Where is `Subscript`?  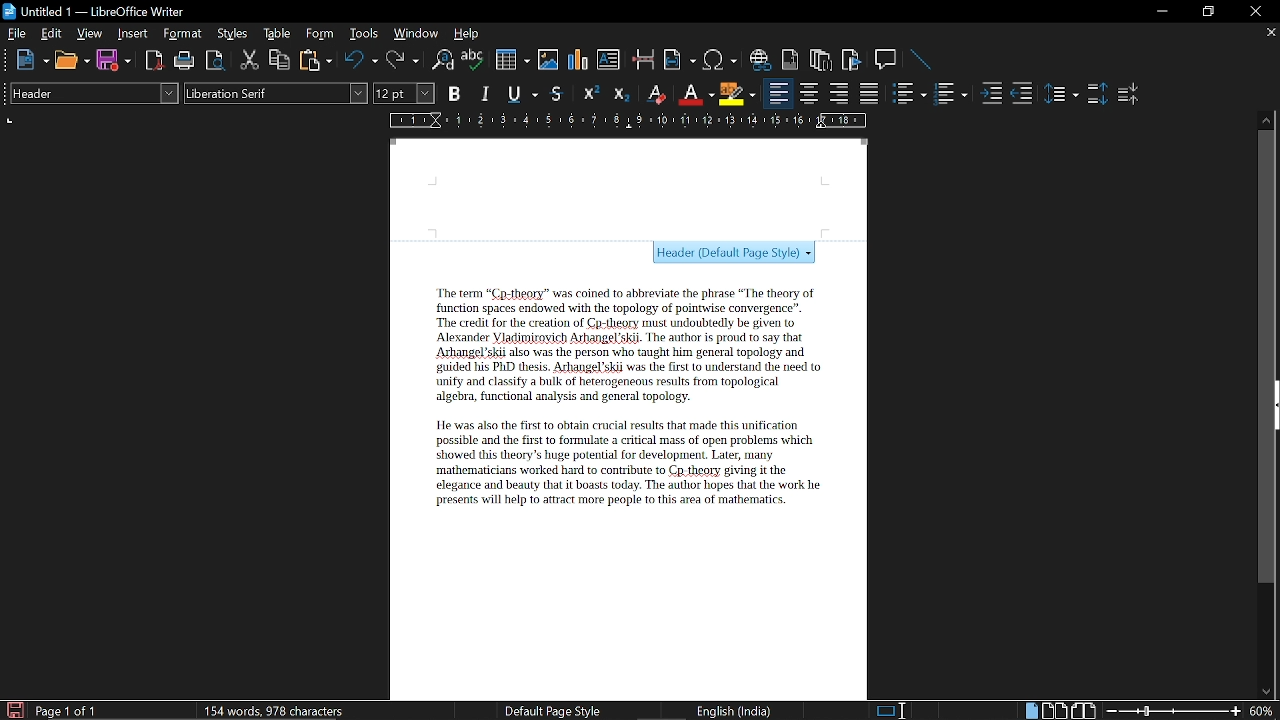 Subscript is located at coordinates (620, 94).